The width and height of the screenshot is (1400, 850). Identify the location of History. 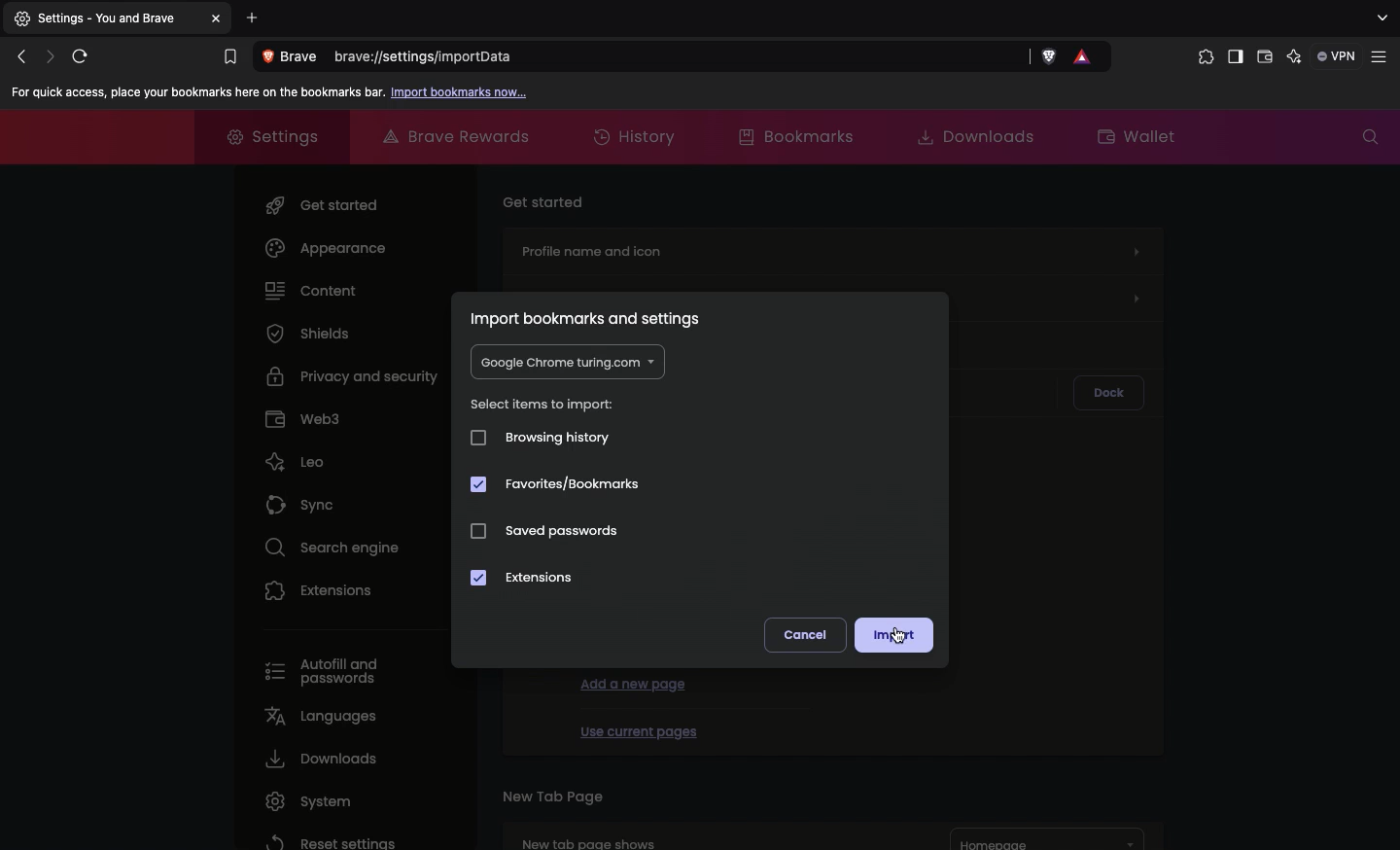
(638, 138).